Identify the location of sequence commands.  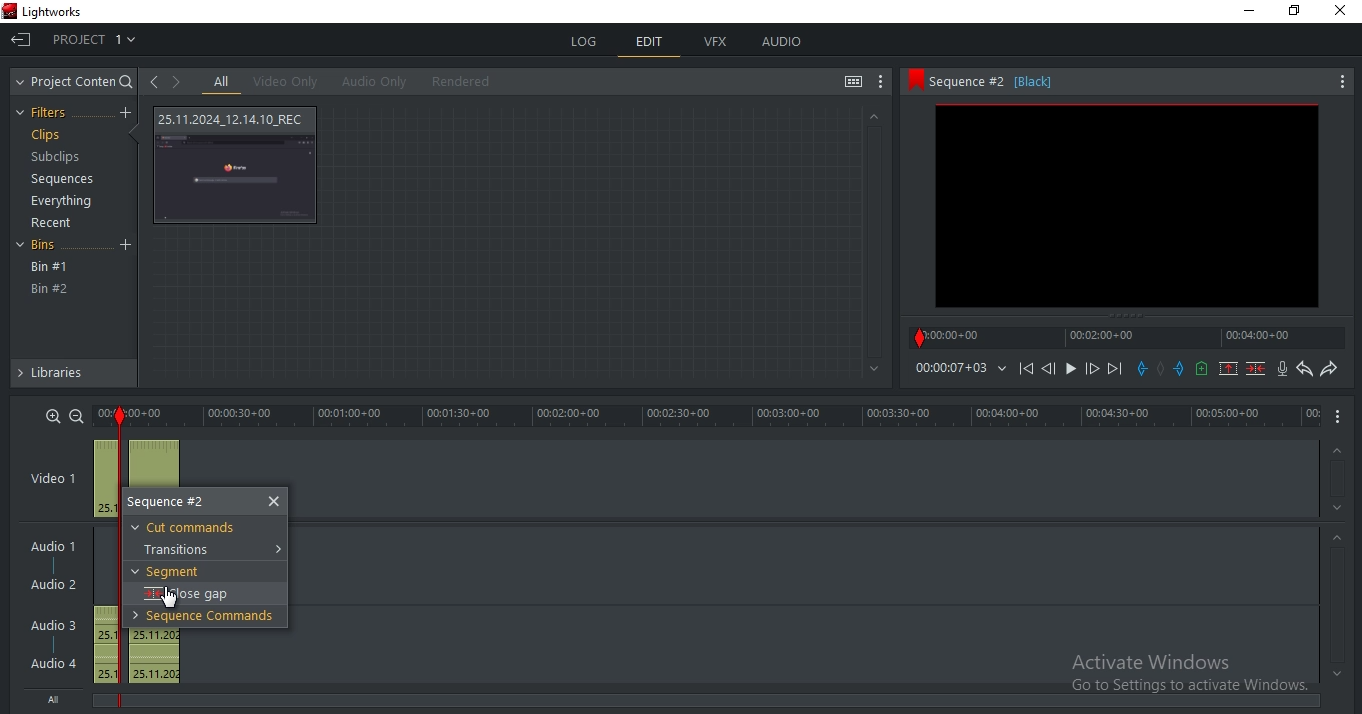
(205, 614).